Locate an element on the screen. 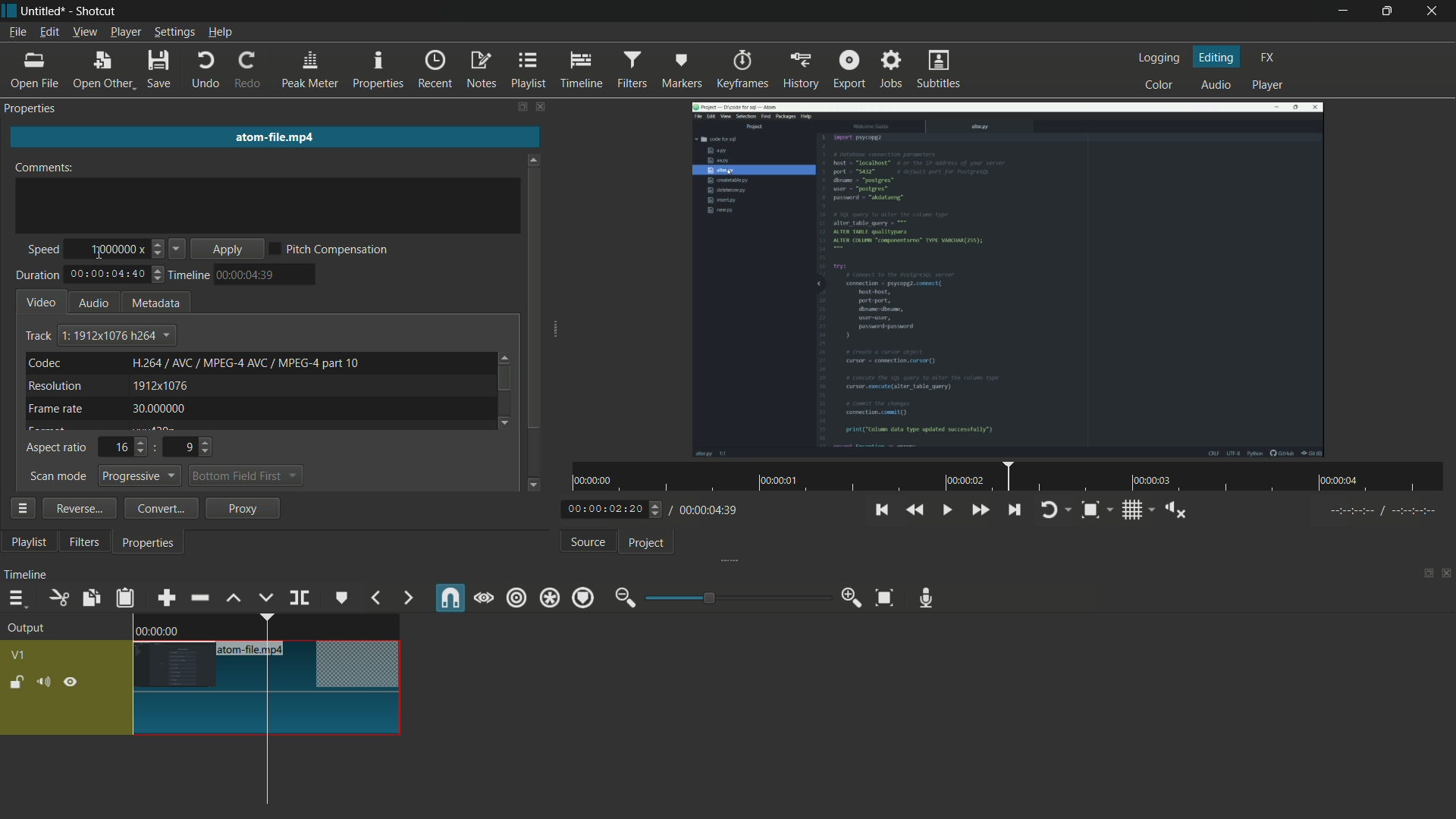  open file is located at coordinates (33, 72).